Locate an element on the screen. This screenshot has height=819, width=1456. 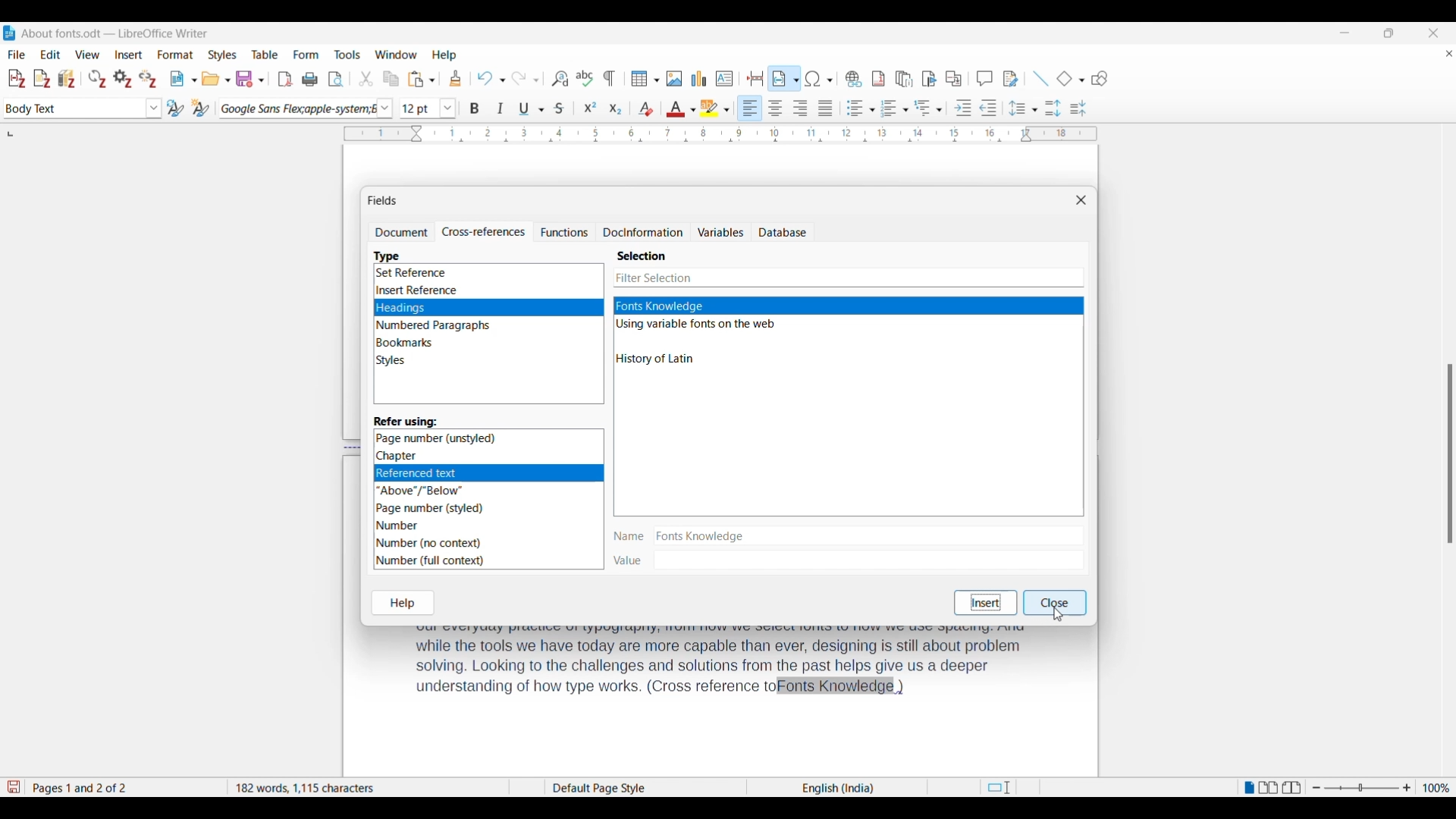
Insert line is located at coordinates (1040, 79).